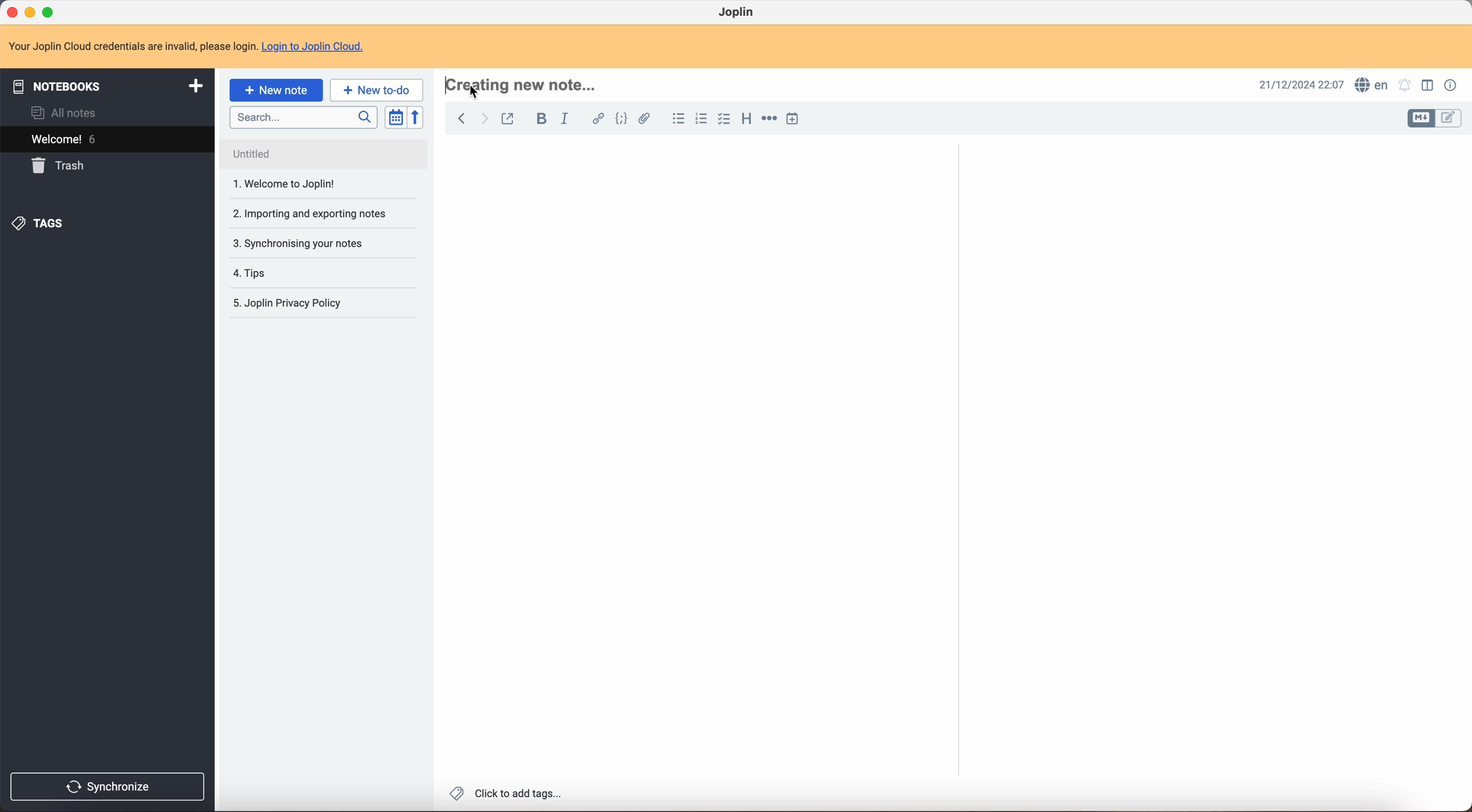 The image size is (1472, 812). Describe the element at coordinates (649, 119) in the screenshot. I see `attach file` at that location.